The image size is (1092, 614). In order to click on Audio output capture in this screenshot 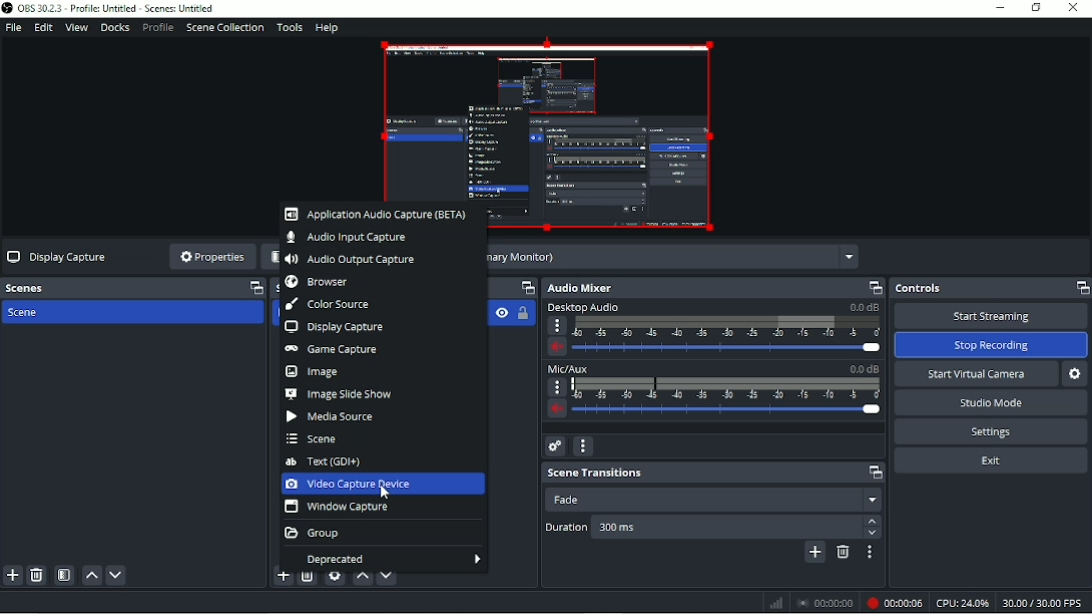, I will do `click(353, 259)`.